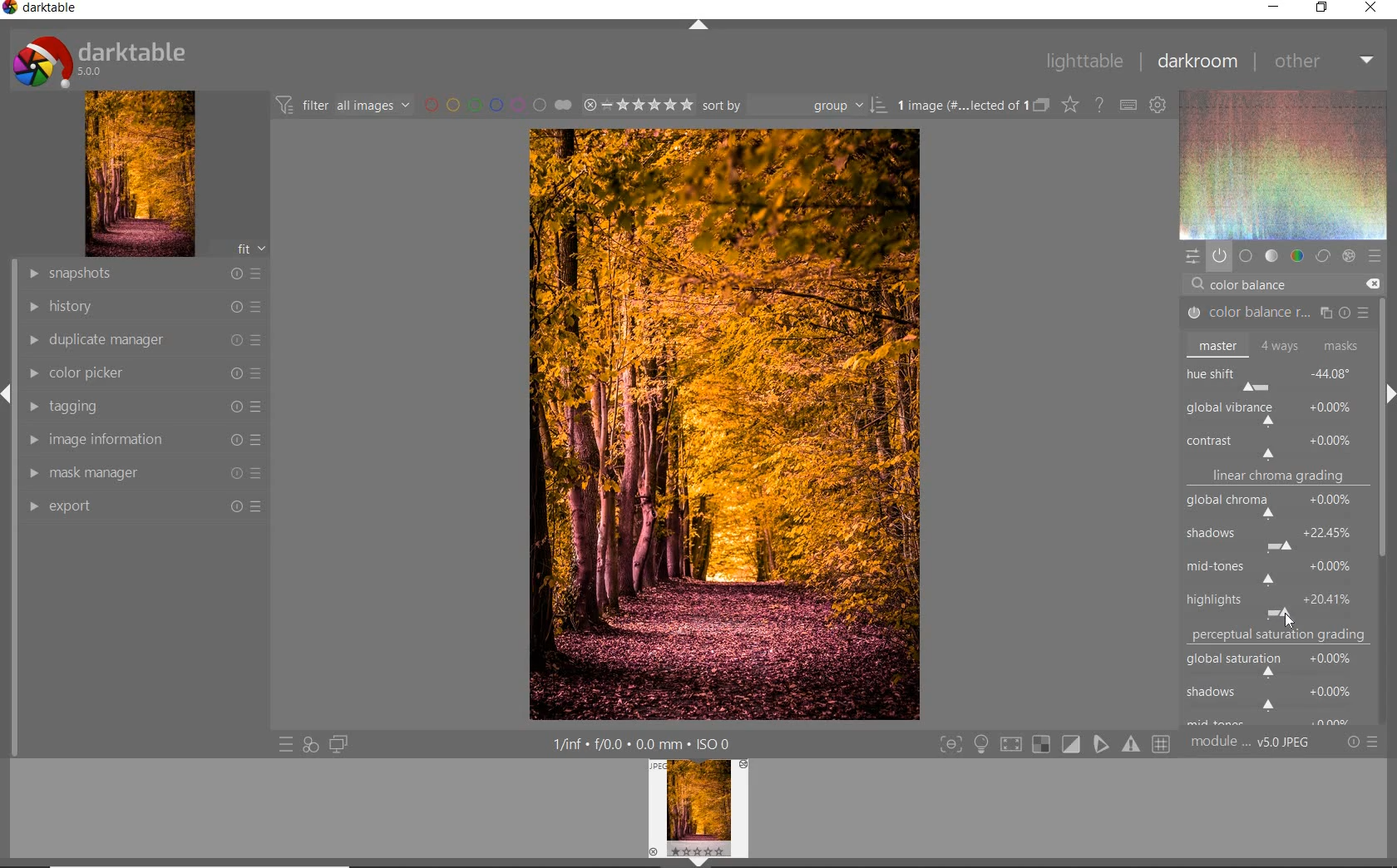 This screenshot has height=868, width=1397. I want to click on filter images, so click(342, 106).